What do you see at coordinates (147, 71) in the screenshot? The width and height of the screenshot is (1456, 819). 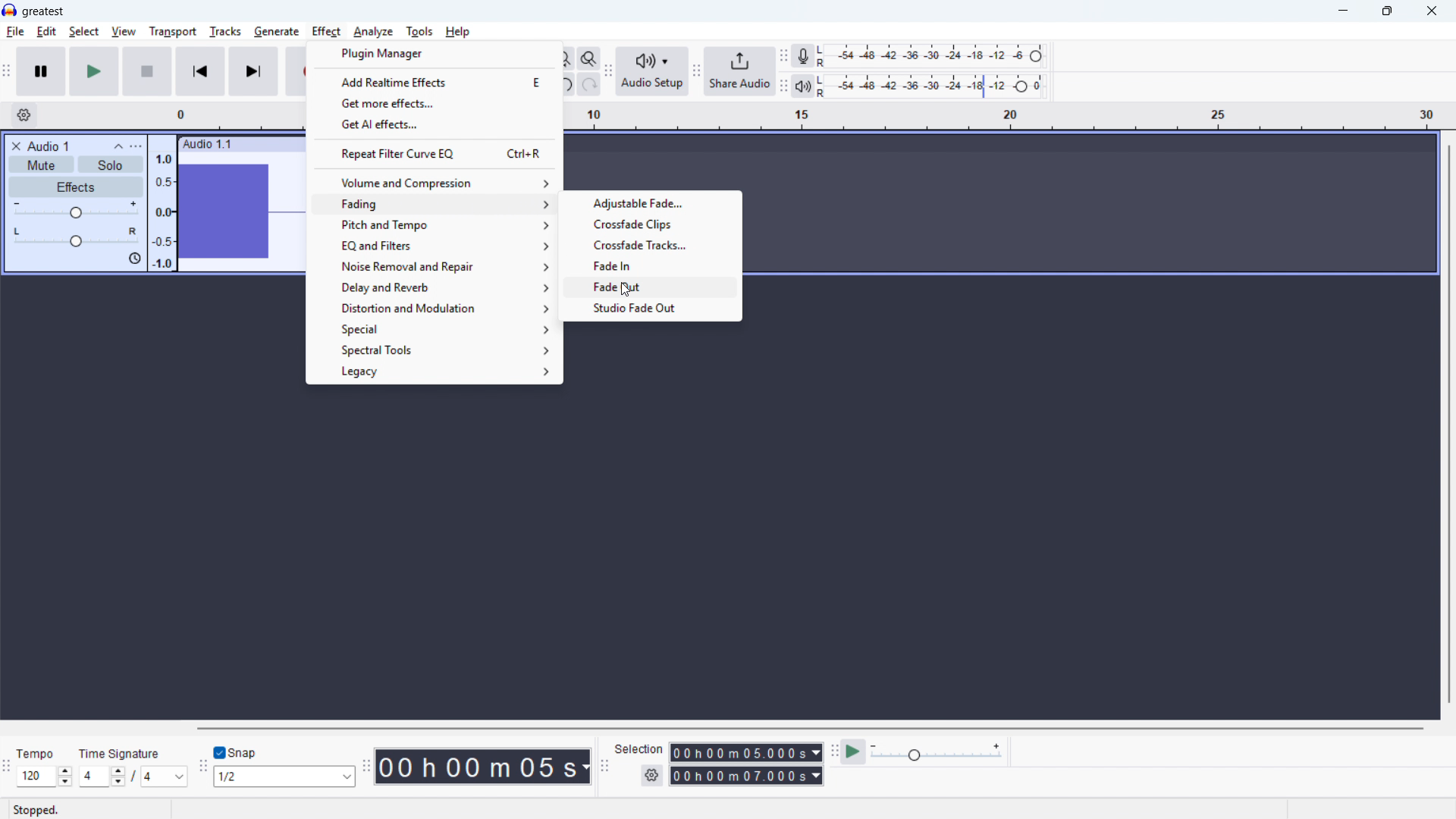 I see `stop ` at bounding box center [147, 71].